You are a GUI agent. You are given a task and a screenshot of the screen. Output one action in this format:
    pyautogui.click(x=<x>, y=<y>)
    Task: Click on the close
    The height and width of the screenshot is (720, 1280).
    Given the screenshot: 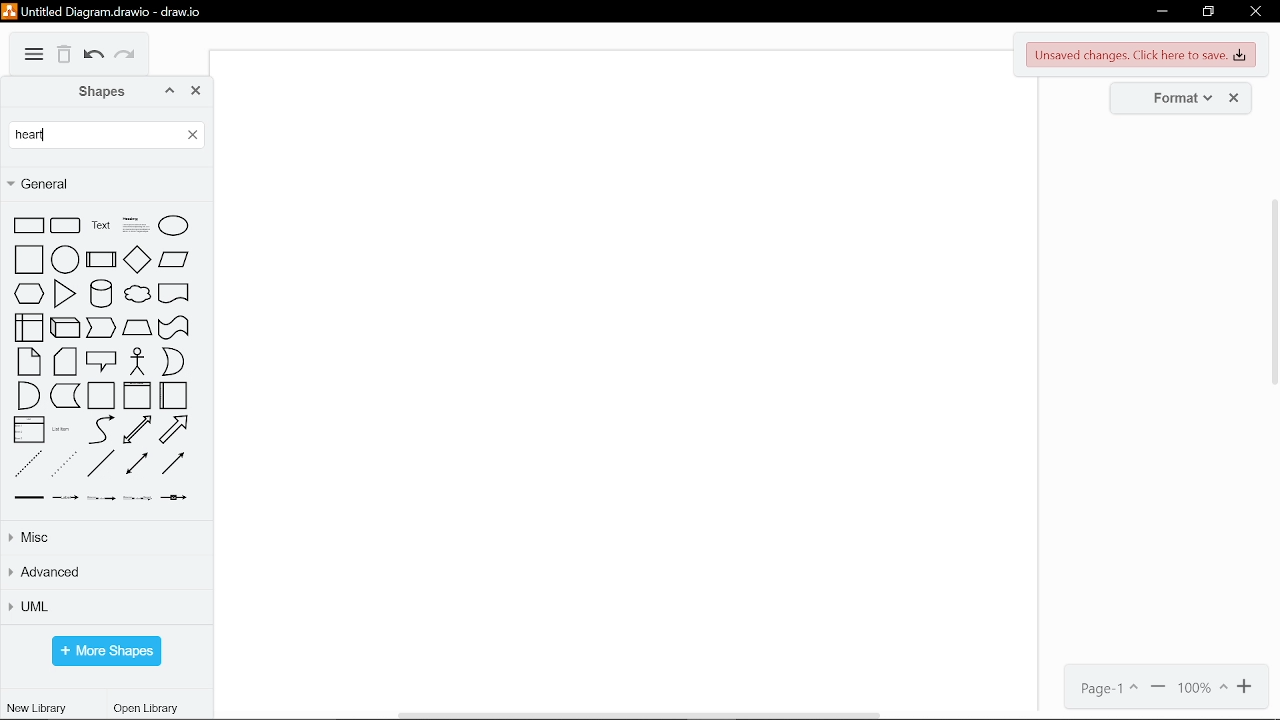 What is the action you would take?
    pyautogui.click(x=197, y=91)
    